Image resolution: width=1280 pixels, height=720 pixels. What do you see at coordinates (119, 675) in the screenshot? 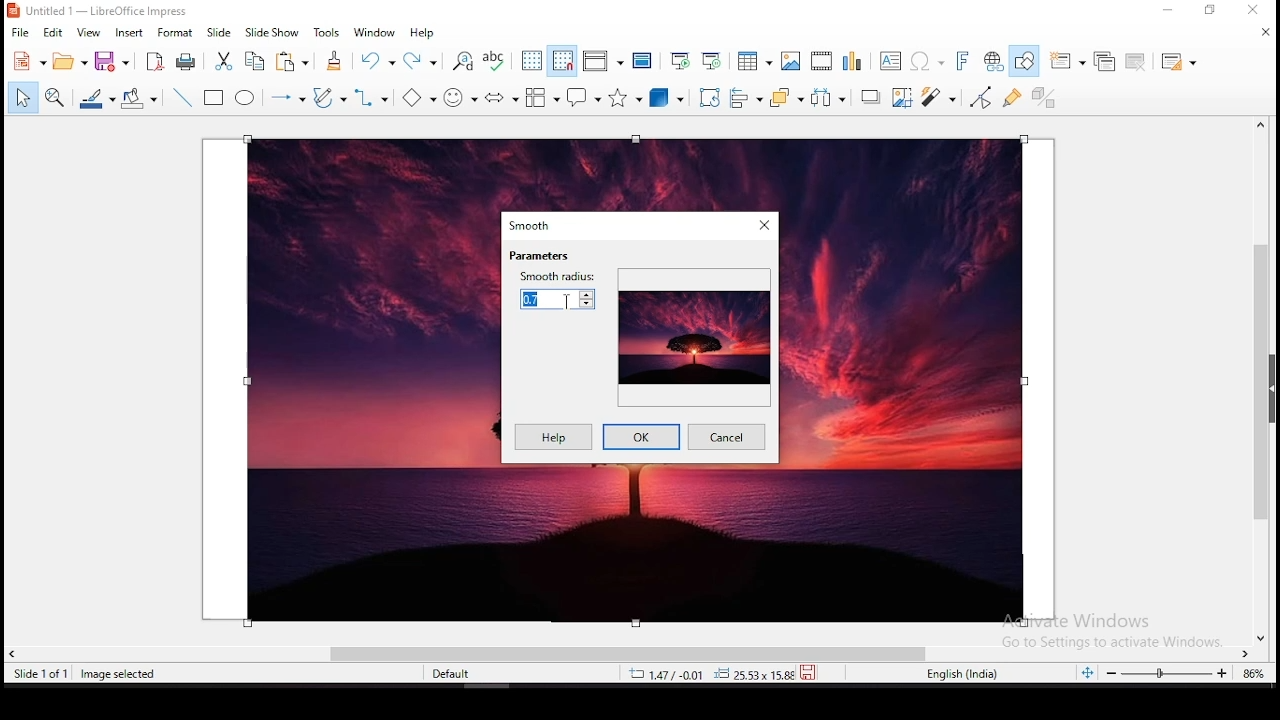
I see `image seleted` at bounding box center [119, 675].